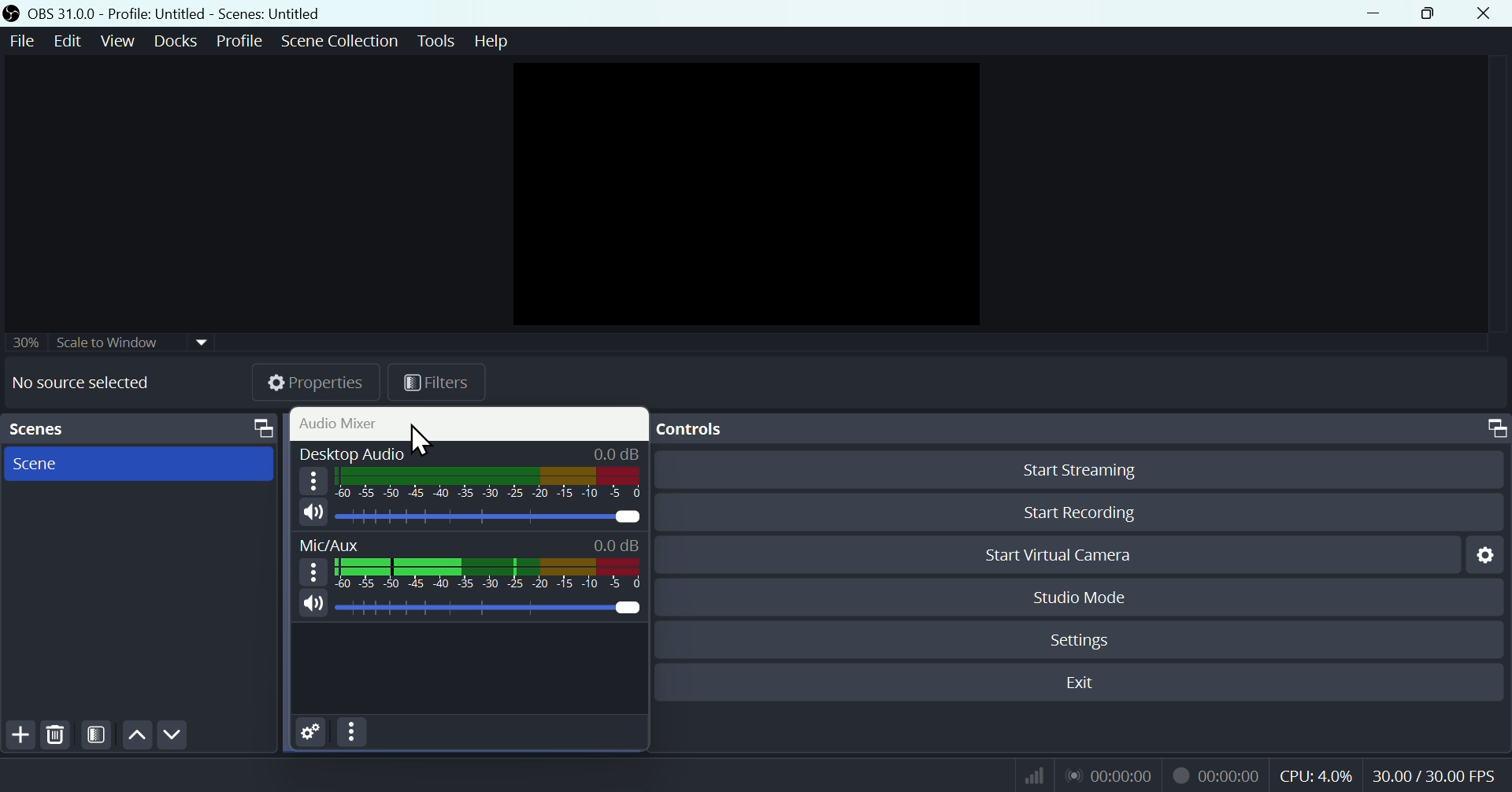 This screenshot has height=792, width=1512. What do you see at coordinates (143, 427) in the screenshot?
I see `Scenes` at bounding box center [143, 427].